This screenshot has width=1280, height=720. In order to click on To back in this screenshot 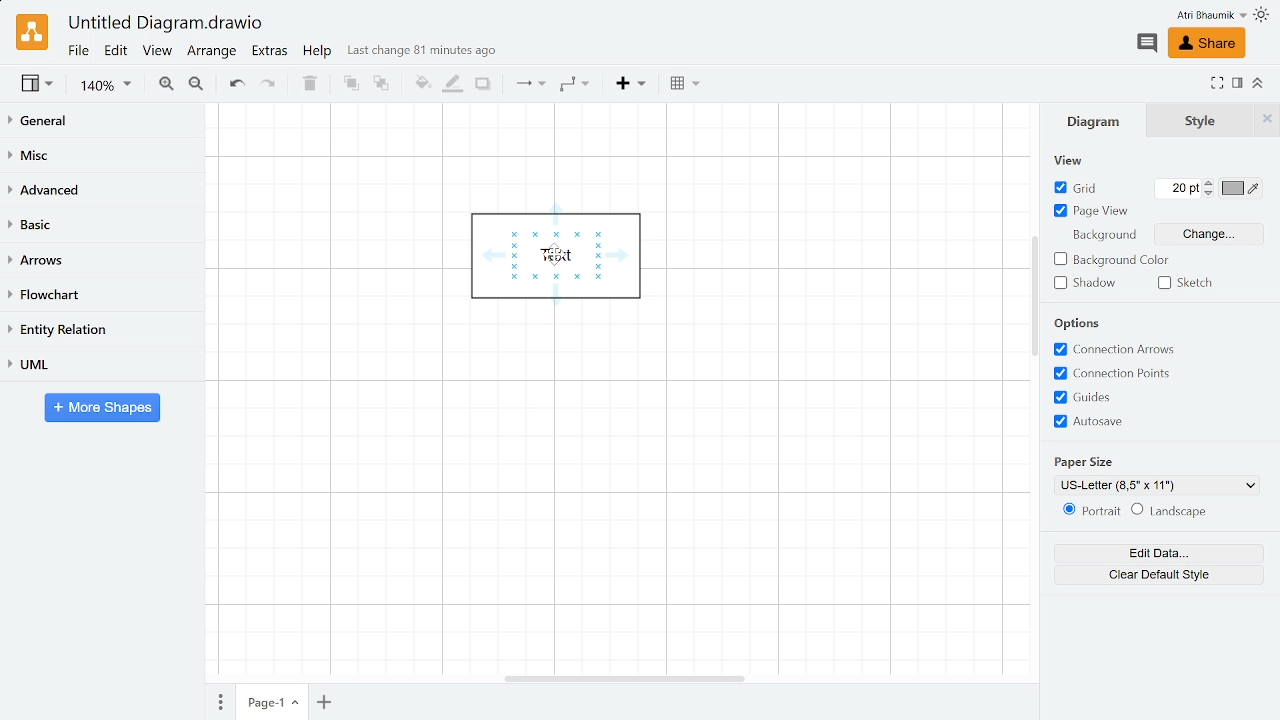, I will do `click(383, 85)`.